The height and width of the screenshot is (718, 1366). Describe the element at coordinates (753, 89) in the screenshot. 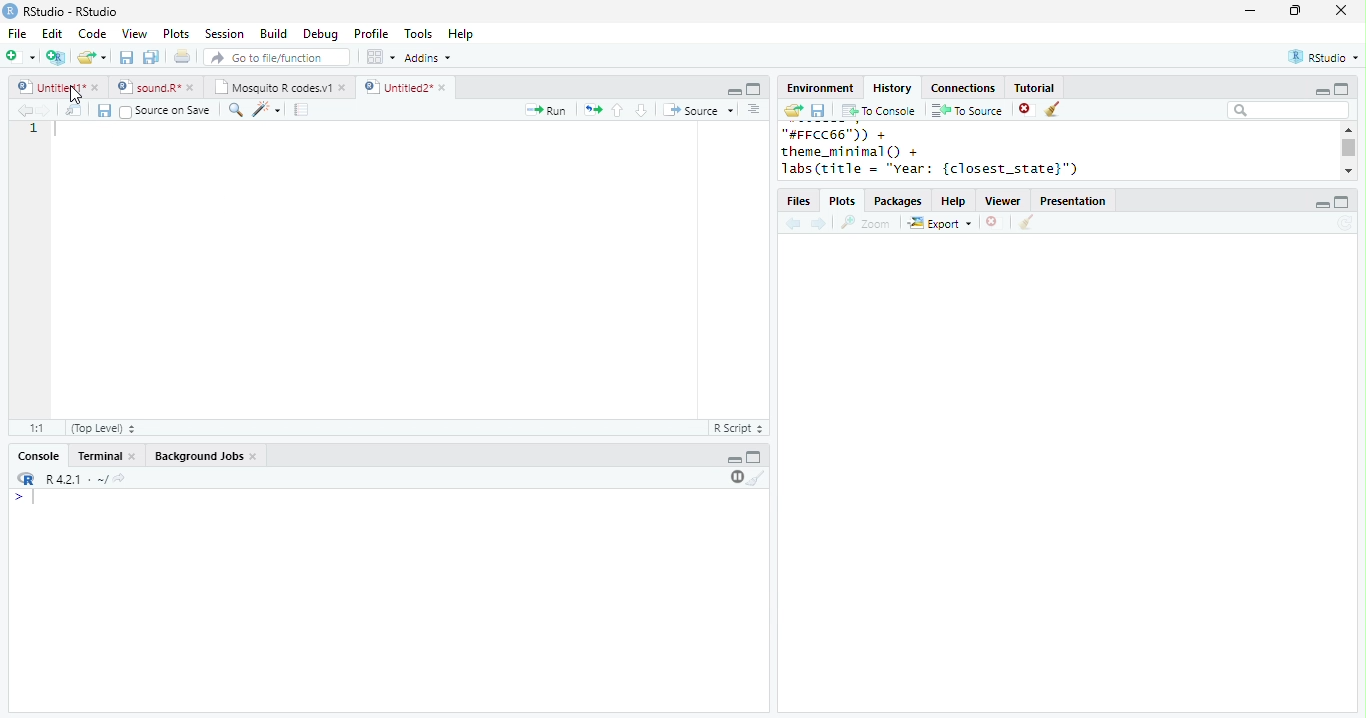

I see `maximize` at that location.